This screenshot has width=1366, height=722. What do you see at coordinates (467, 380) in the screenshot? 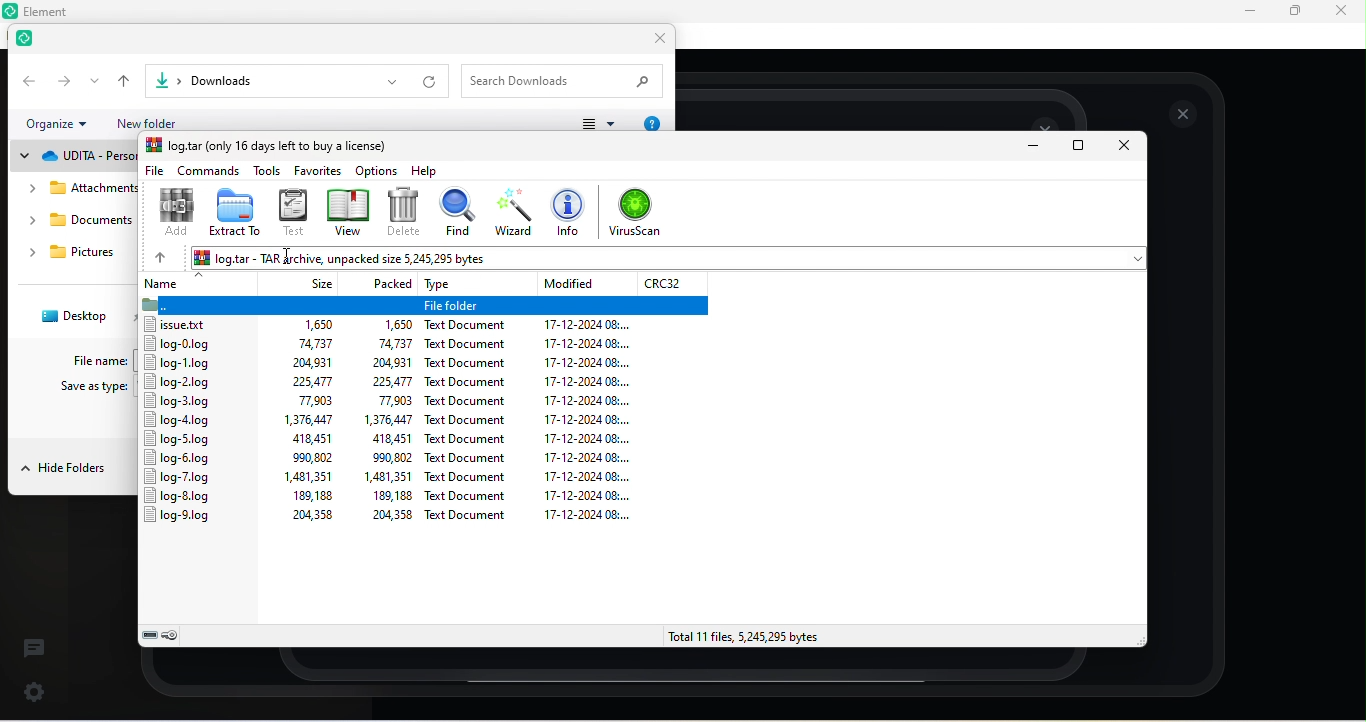
I see `text document` at bounding box center [467, 380].